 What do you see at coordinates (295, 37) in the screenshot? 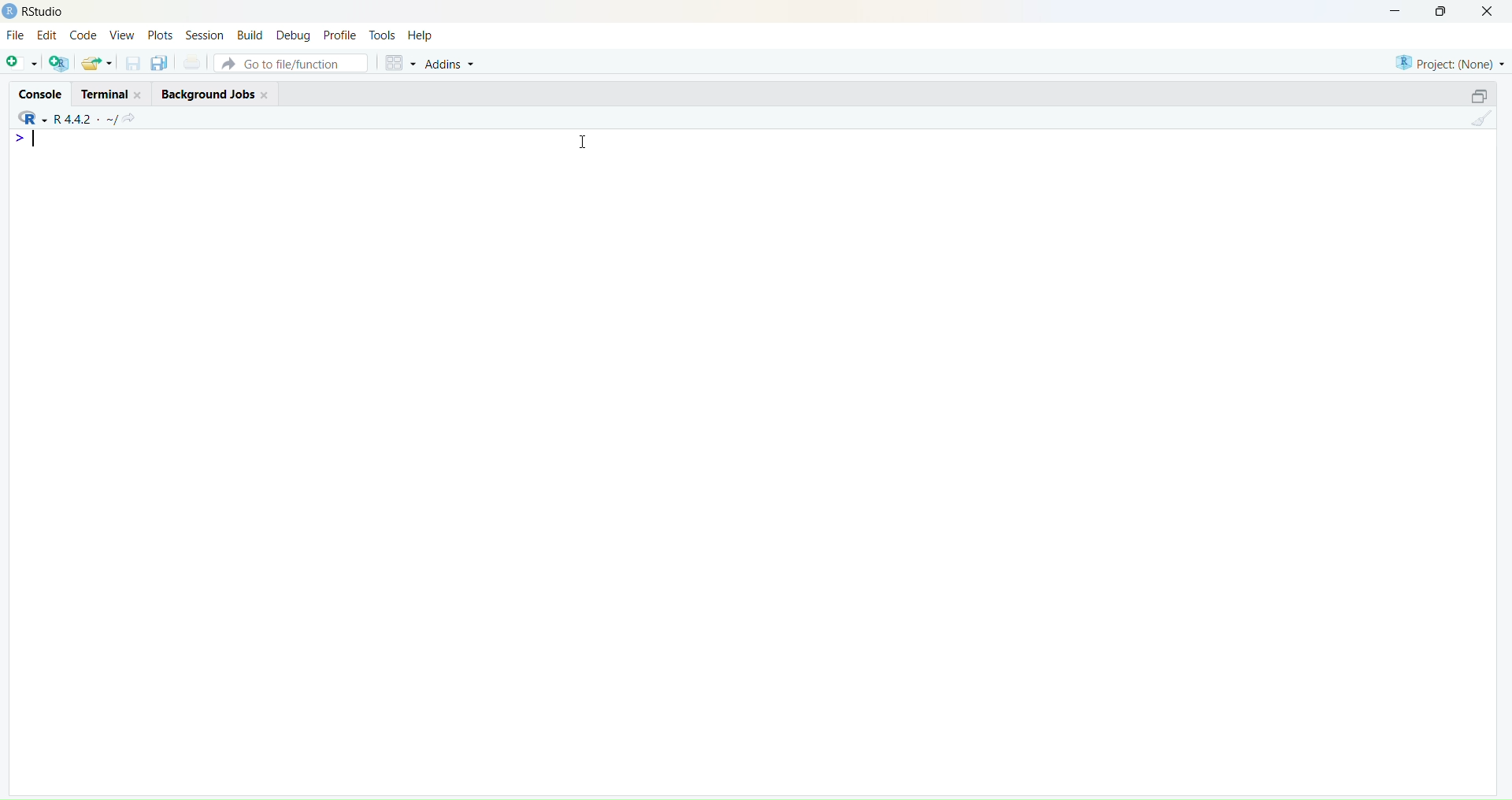
I see `Debug` at bounding box center [295, 37].